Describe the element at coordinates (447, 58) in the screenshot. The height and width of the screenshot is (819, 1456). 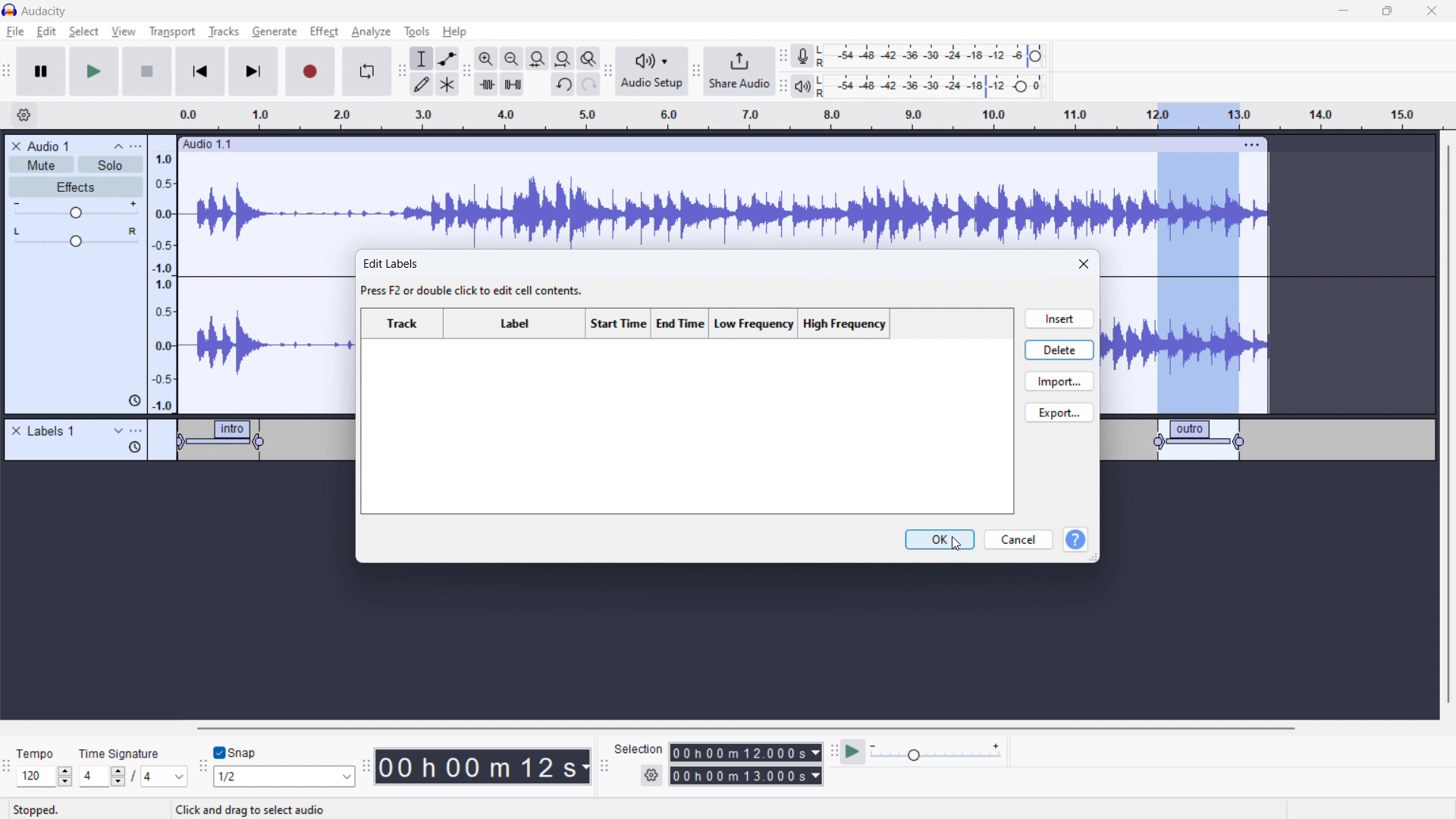
I see `envelop tool` at that location.